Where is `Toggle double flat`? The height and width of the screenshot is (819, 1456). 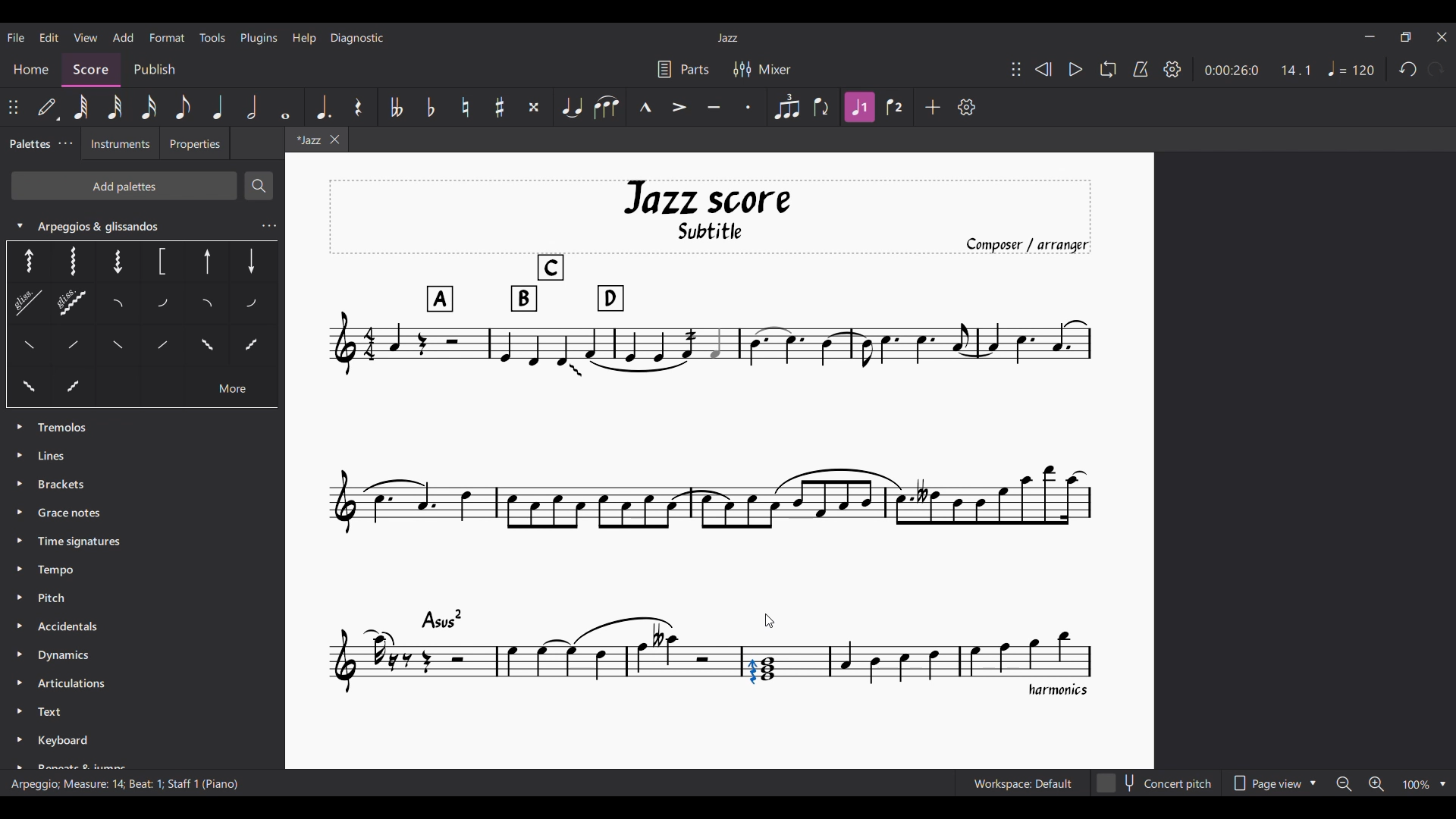
Toggle double flat is located at coordinates (395, 108).